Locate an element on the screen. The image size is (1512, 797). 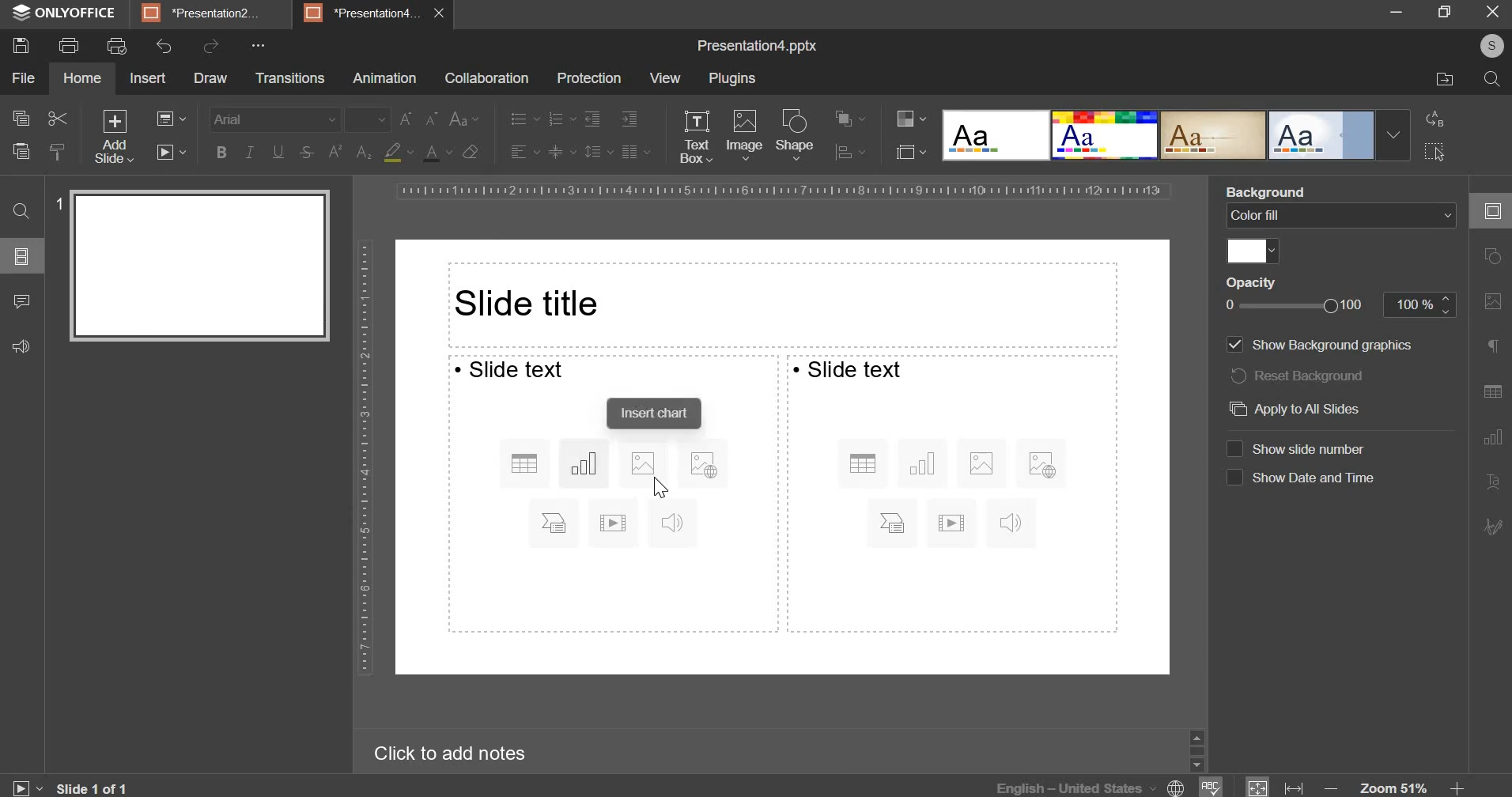
redo is located at coordinates (211, 47).